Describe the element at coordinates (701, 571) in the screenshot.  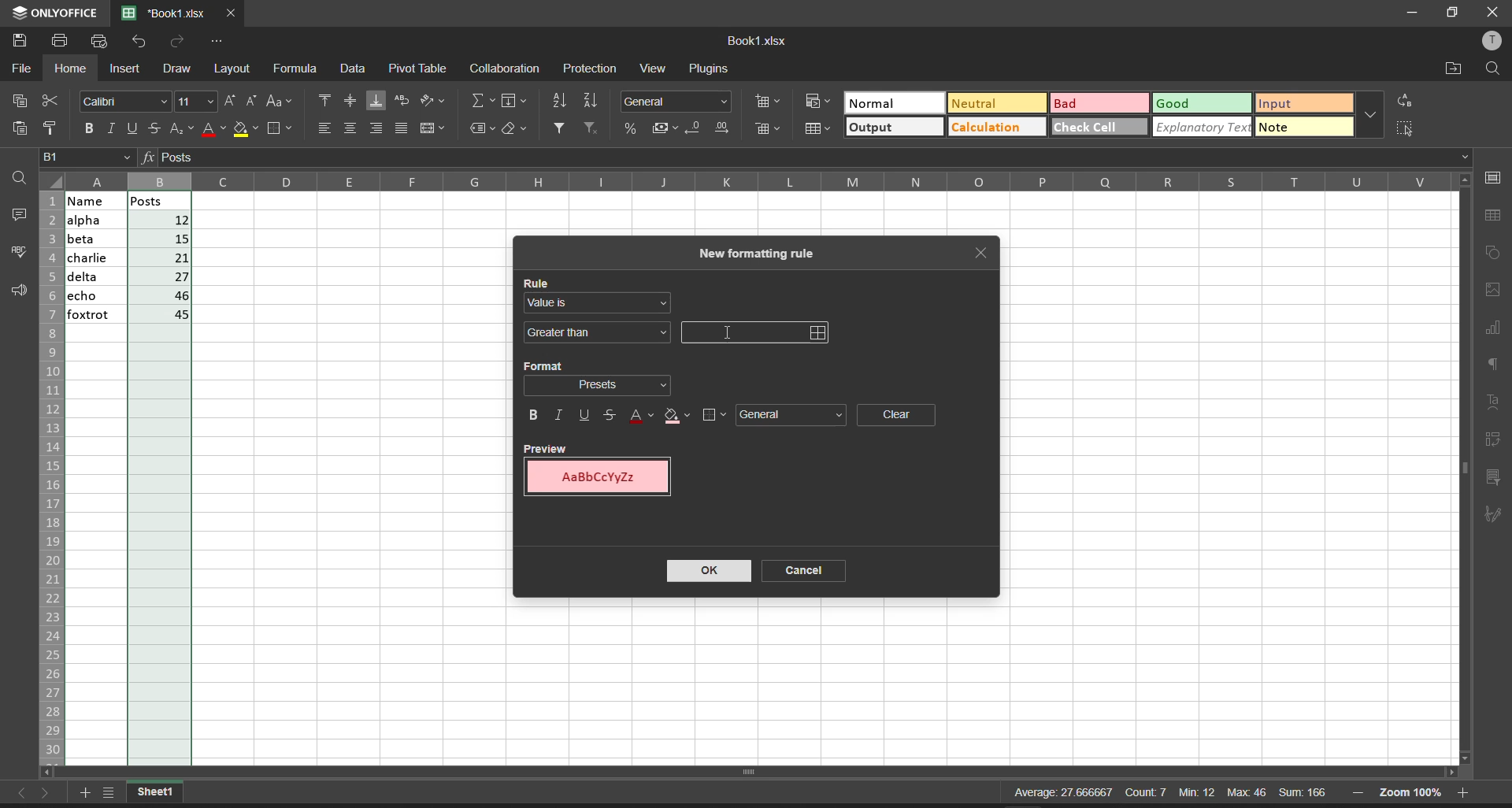
I see `ok` at that location.